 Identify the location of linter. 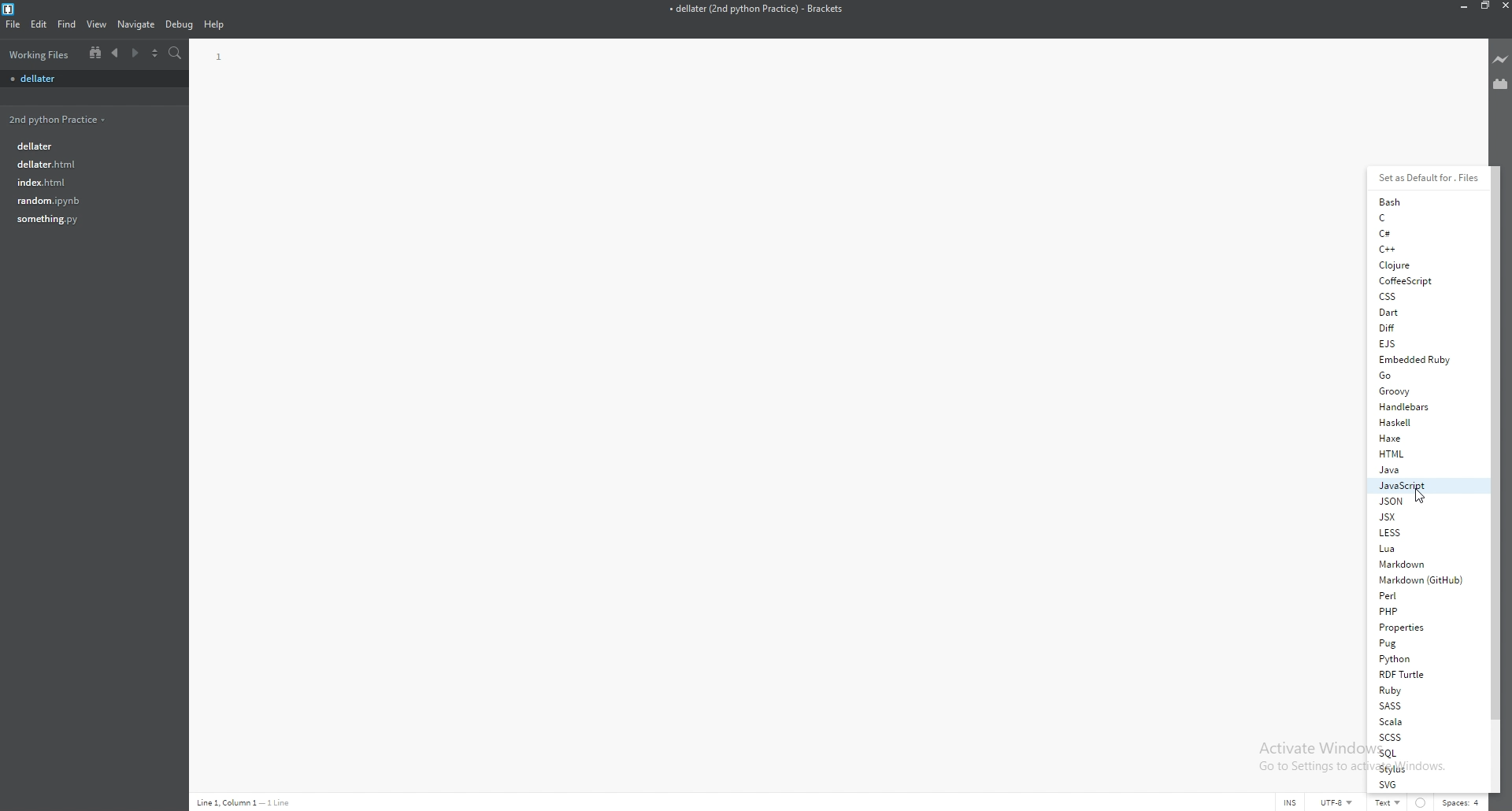
(1421, 803).